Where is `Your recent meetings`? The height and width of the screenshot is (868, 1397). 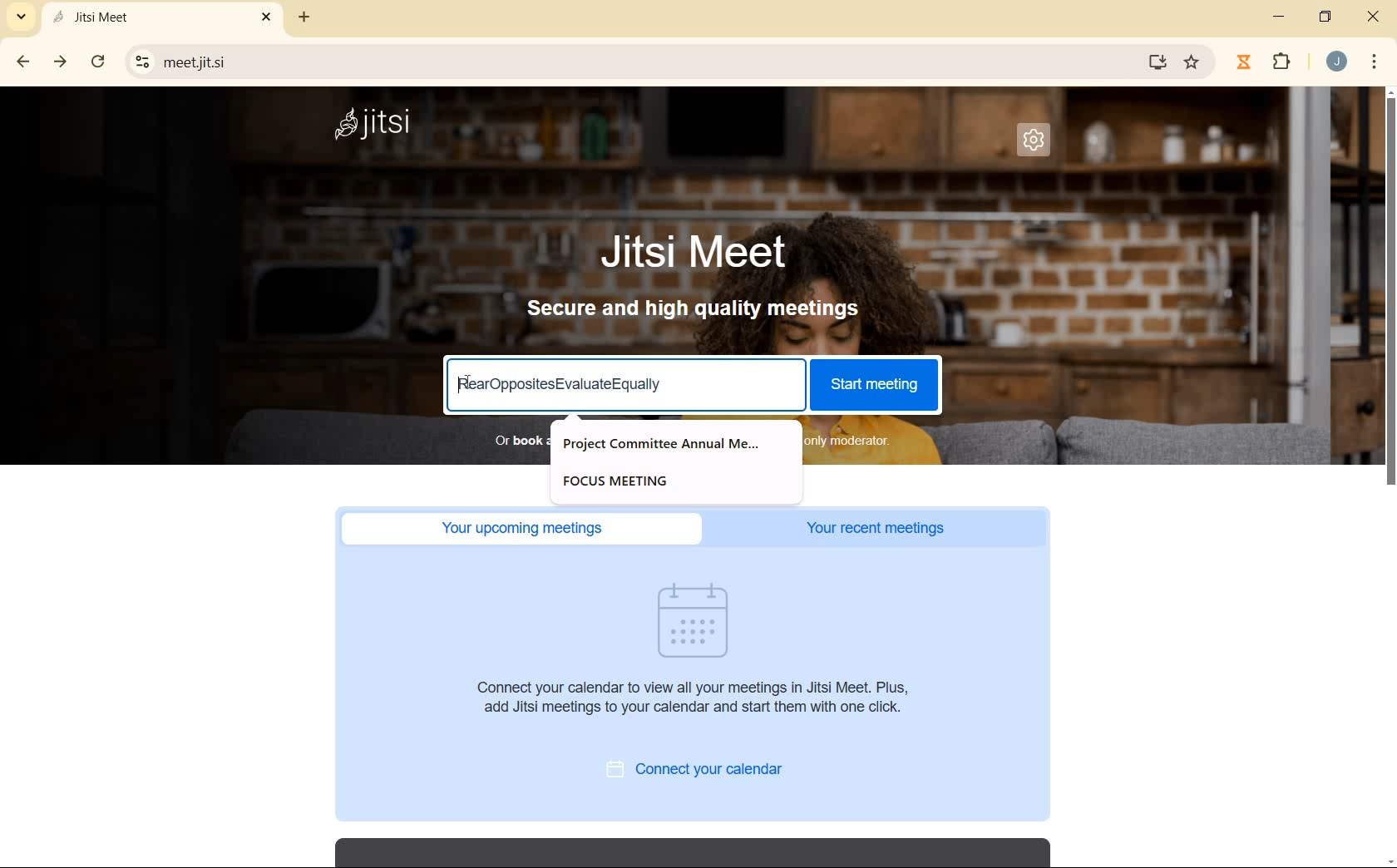
Your recent meetings is located at coordinates (884, 529).